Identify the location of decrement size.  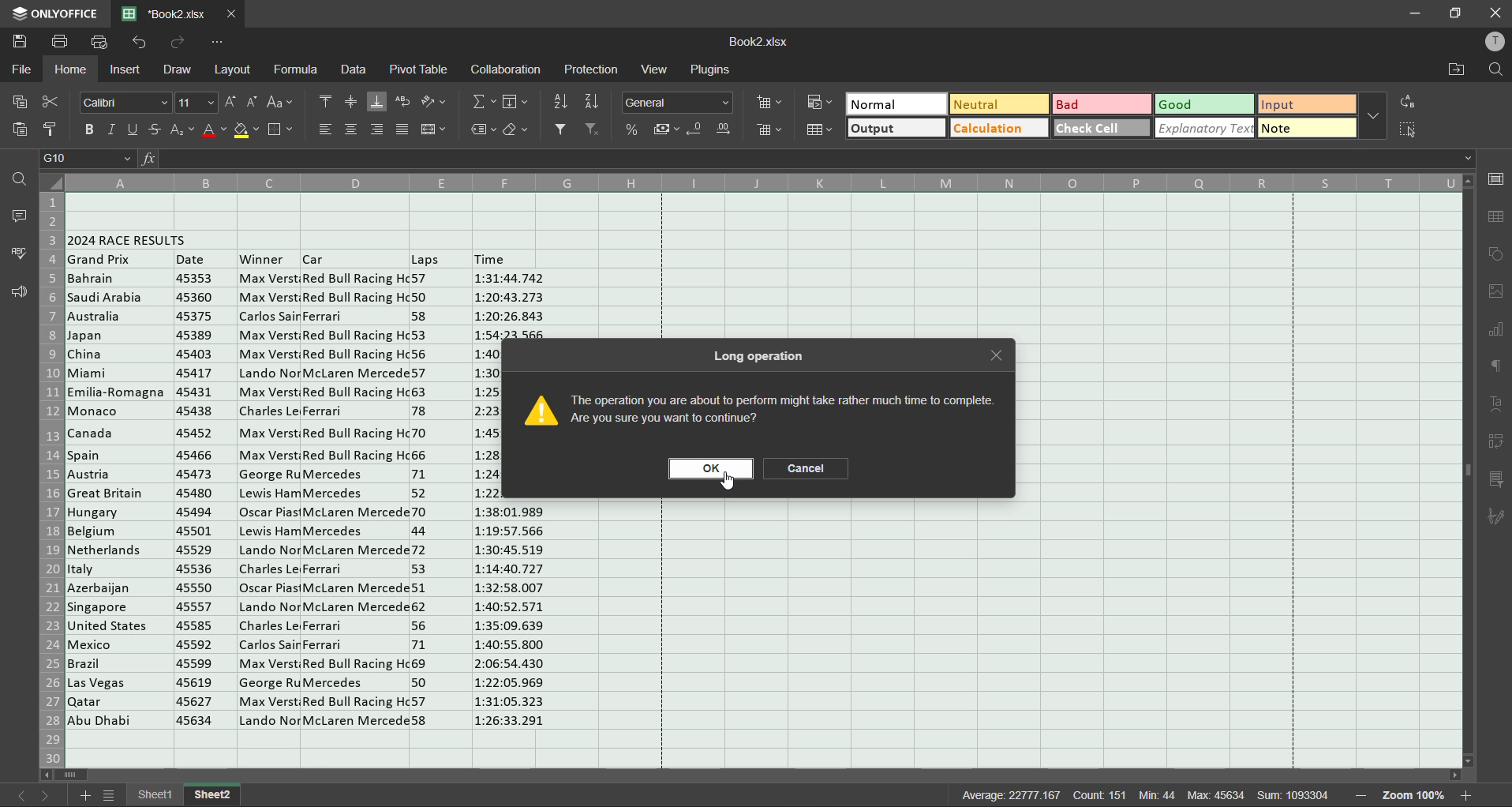
(253, 103).